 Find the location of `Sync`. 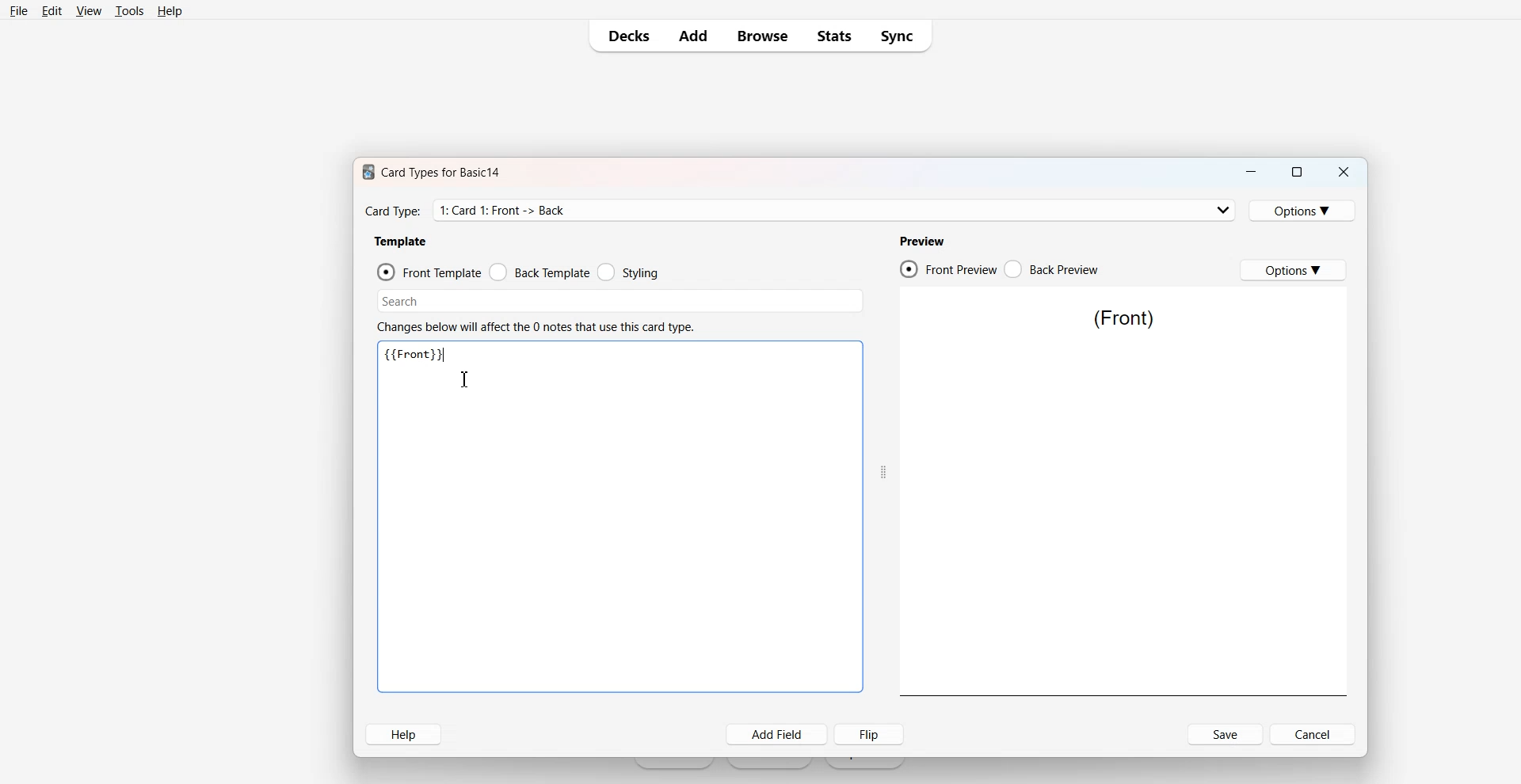

Sync is located at coordinates (900, 36).